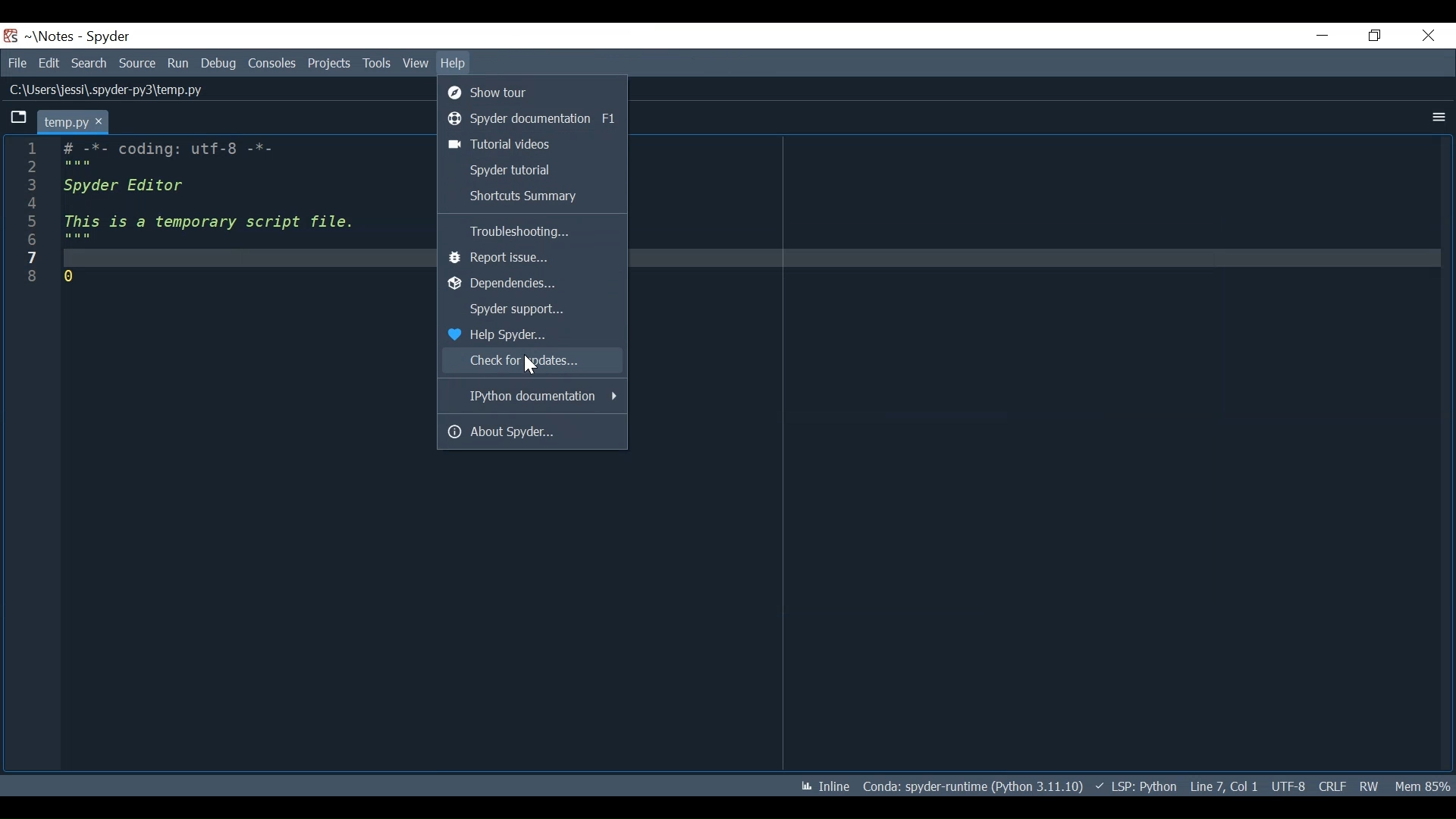  Describe the element at coordinates (11, 36) in the screenshot. I see `Spyder Desktop Icon` at that location.